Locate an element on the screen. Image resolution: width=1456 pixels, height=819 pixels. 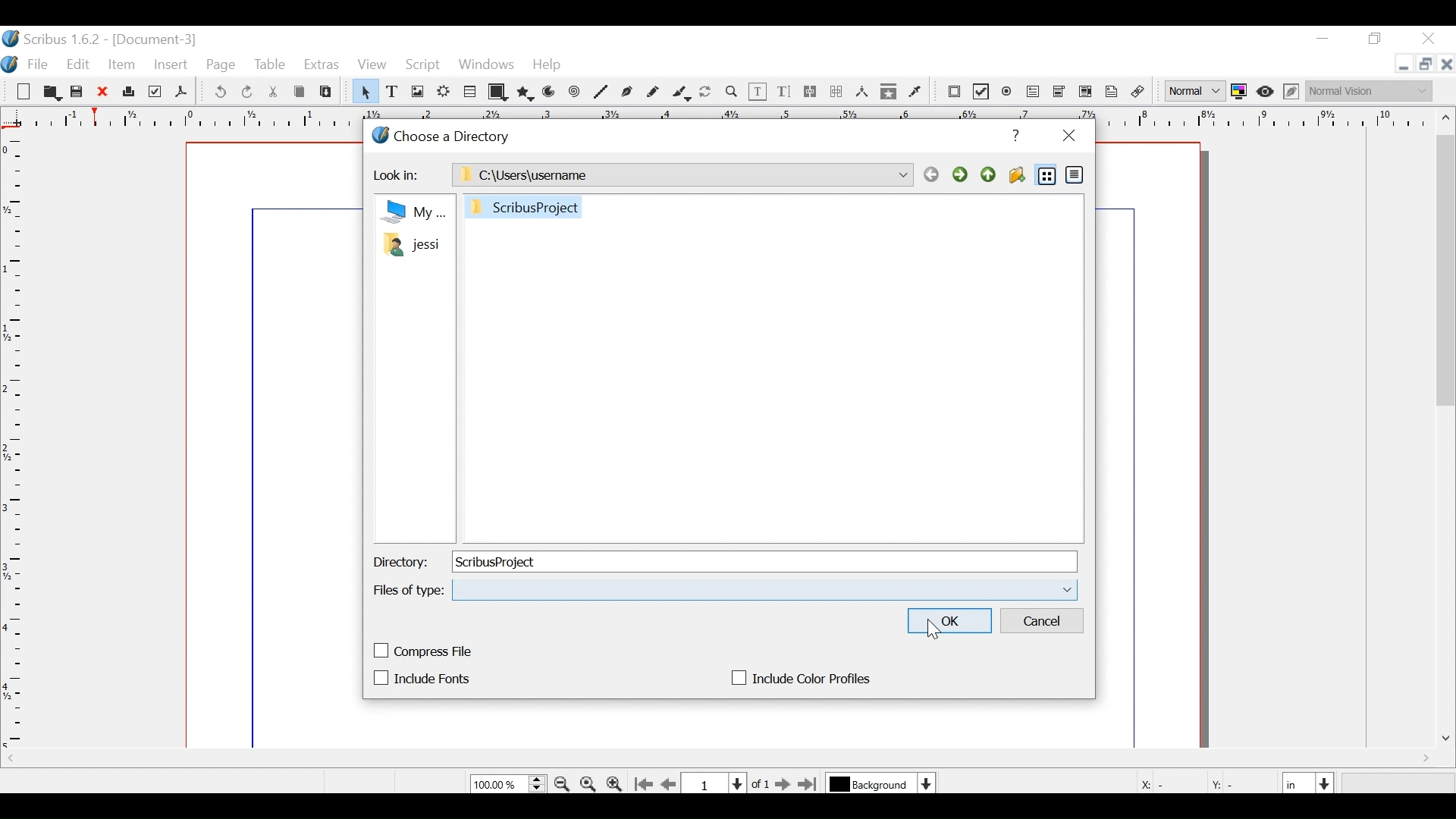
Edit is located at coordinates (79, 65).